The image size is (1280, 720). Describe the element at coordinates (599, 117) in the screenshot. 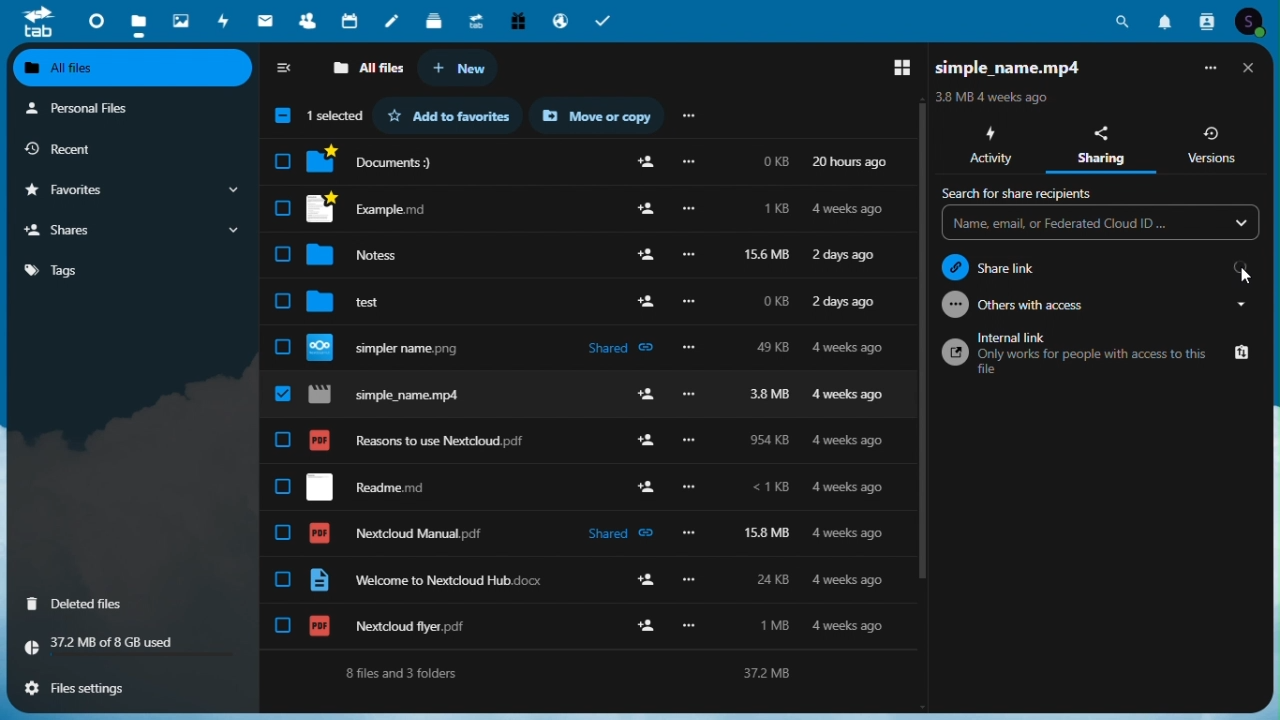

I see `Move or copy` at that location.